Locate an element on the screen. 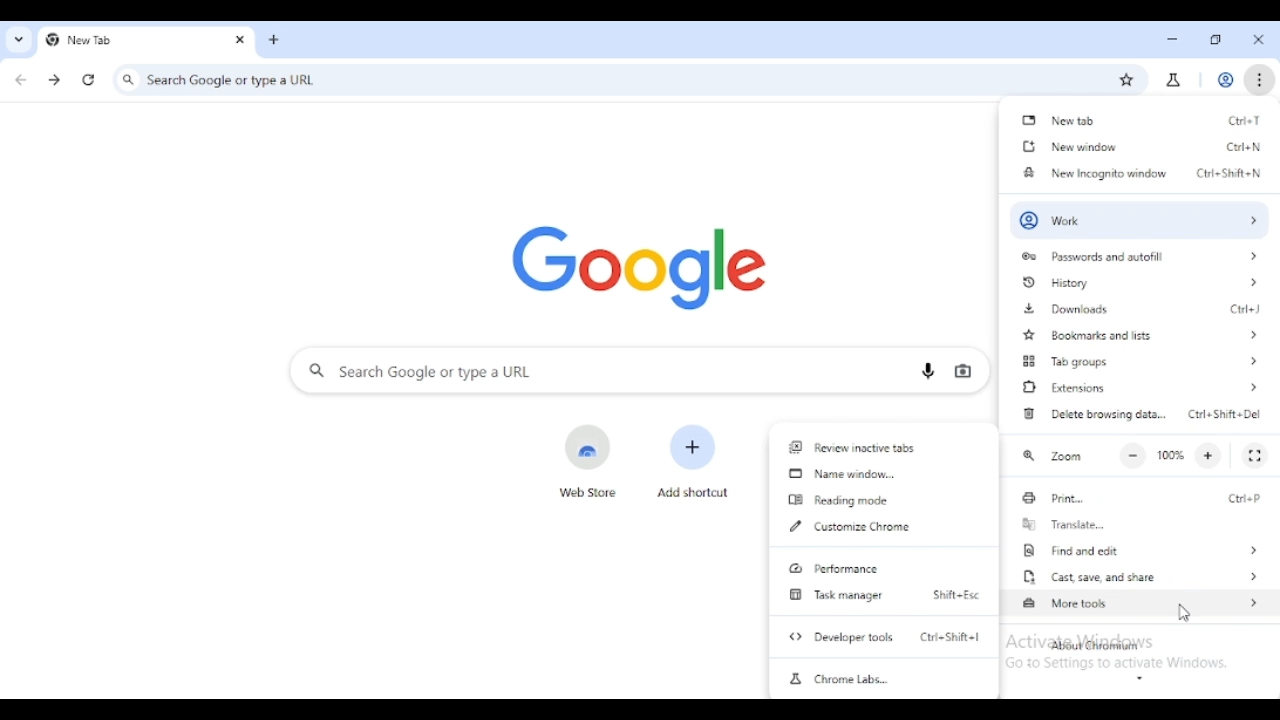 Image resolution: width=1280 pixels, height=720 pixels. new tab is located at coordinates (1058, 121).